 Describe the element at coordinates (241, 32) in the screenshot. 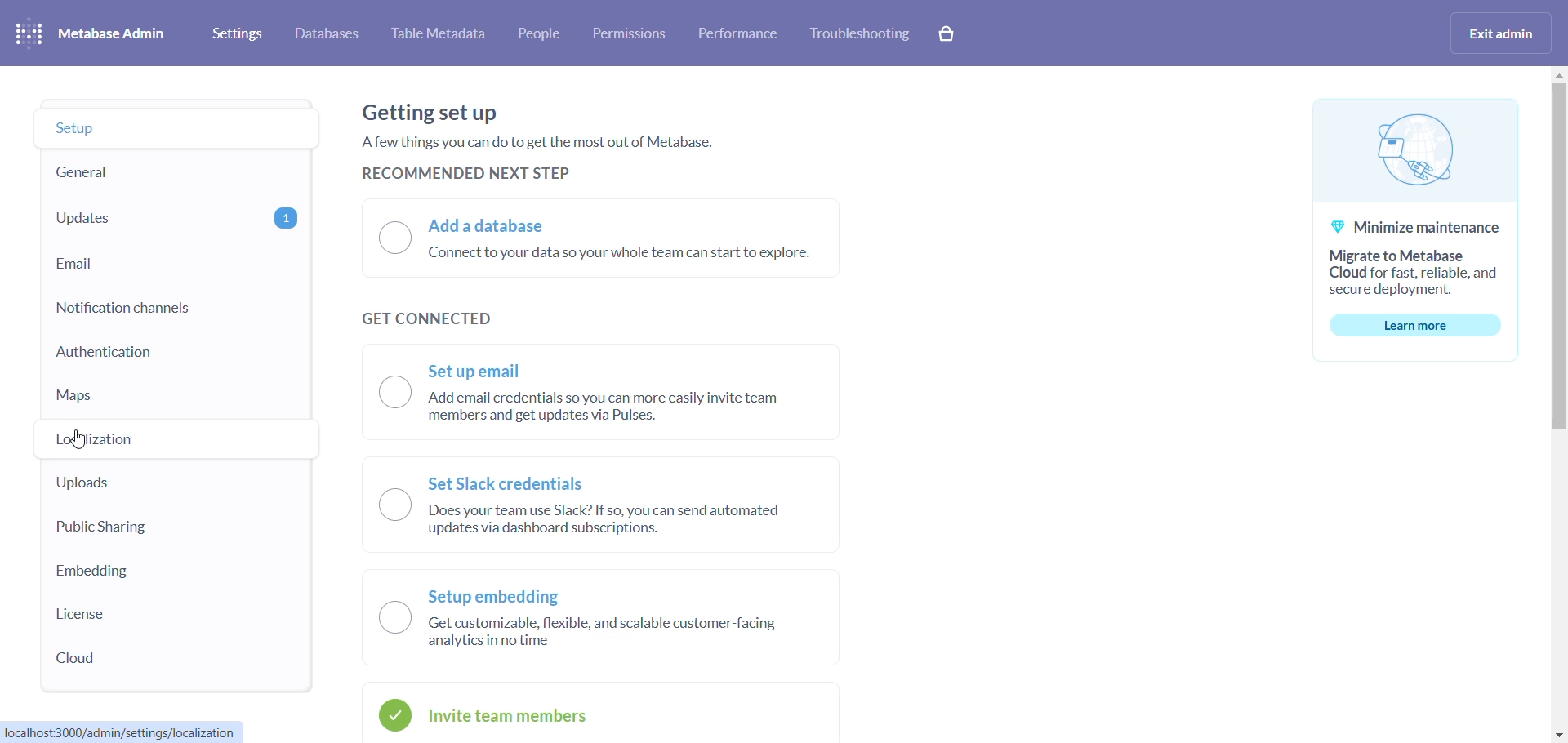

I see `settings` at that location.